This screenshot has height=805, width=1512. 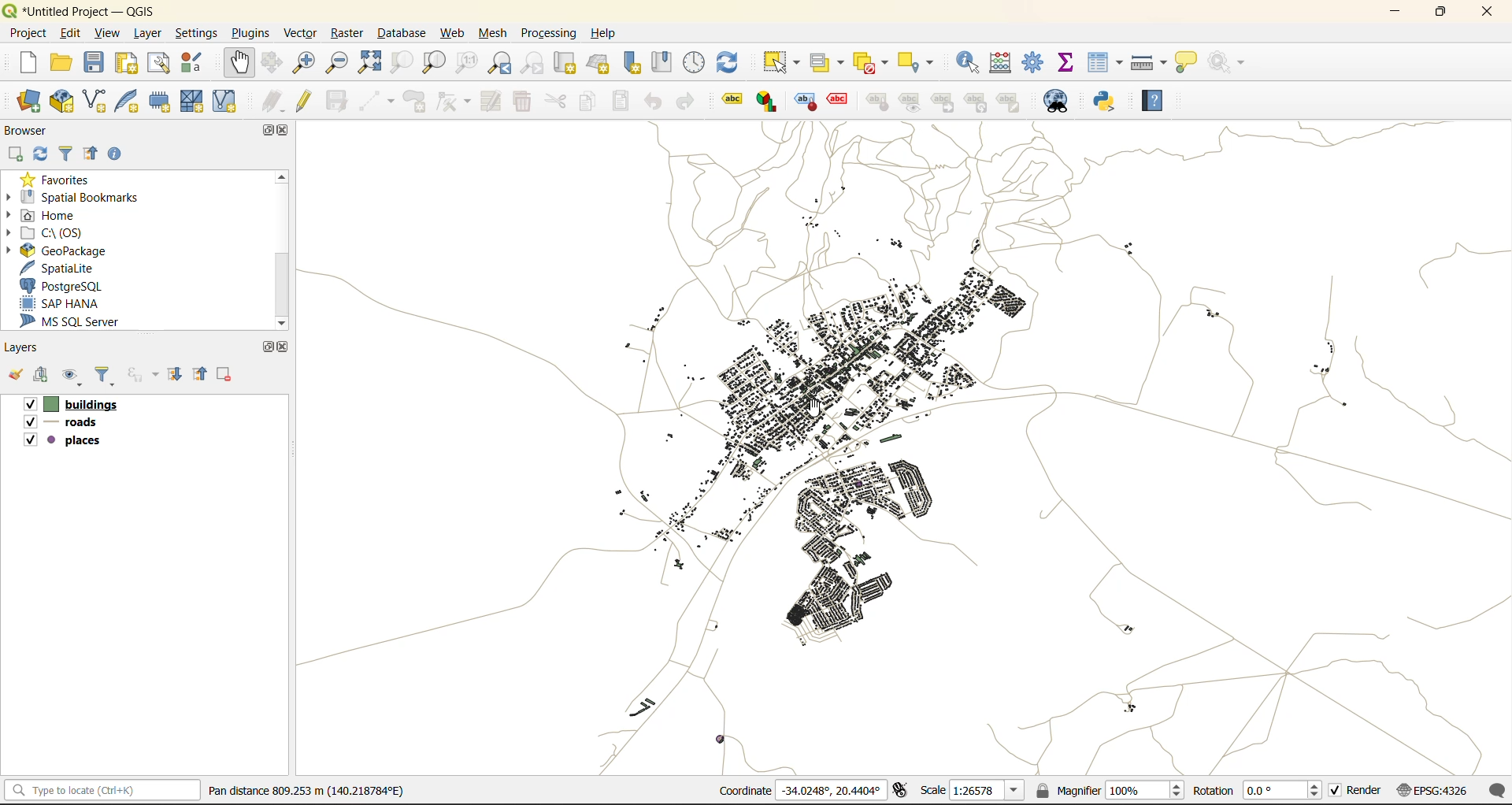 What do you see at coordinates (799, 791) in the screenshot?
I see `coordinates` at bounding box center [799, 791].